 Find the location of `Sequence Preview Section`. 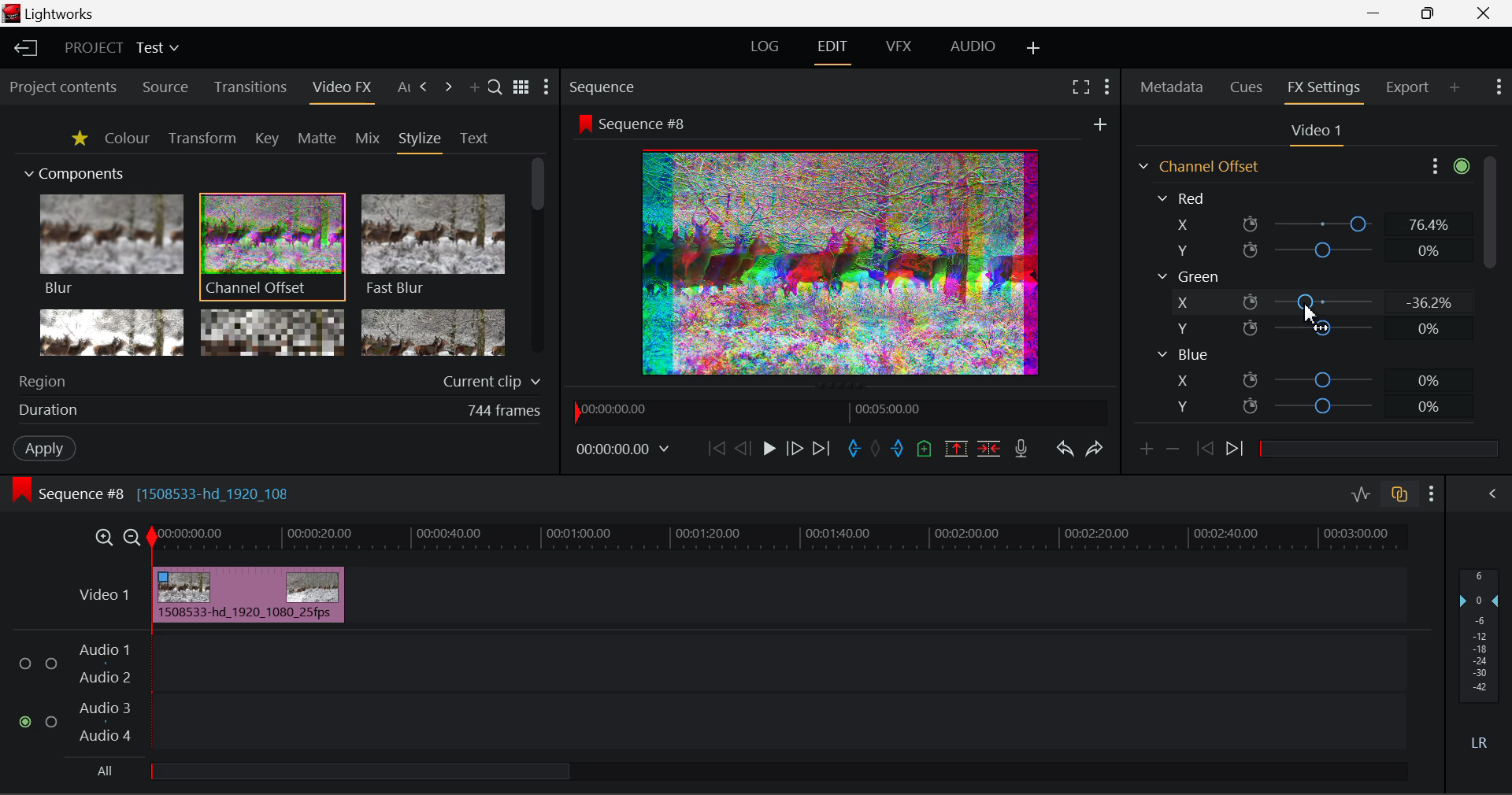

Sequence Preview Section is located at coordinates (604, 86).